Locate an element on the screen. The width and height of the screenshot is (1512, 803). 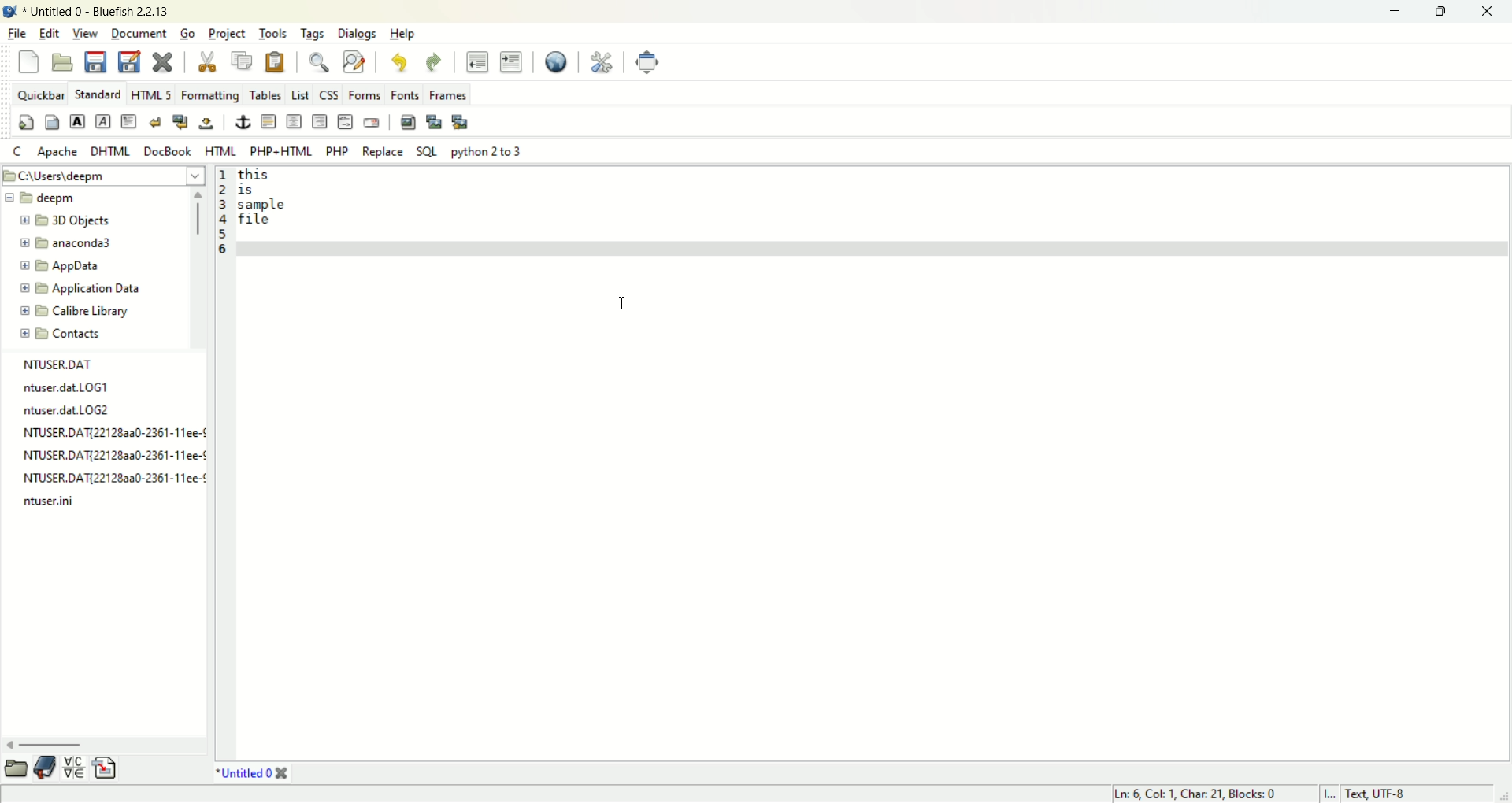
non breaking space is located at coordinates (206, 124).